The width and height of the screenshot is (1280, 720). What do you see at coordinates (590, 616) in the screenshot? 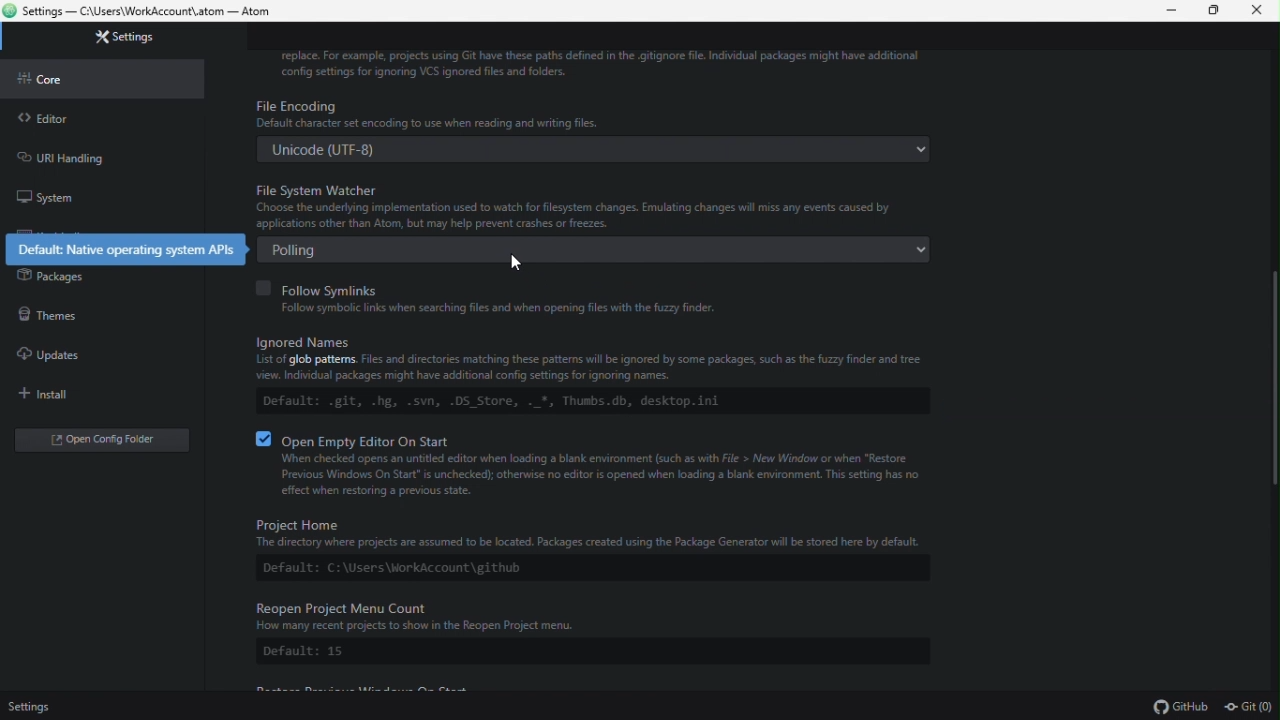
I see `Reopen Project Menu Count How many recent projects to show in the Reopen Project menu.` at bounding box center [590, 616].